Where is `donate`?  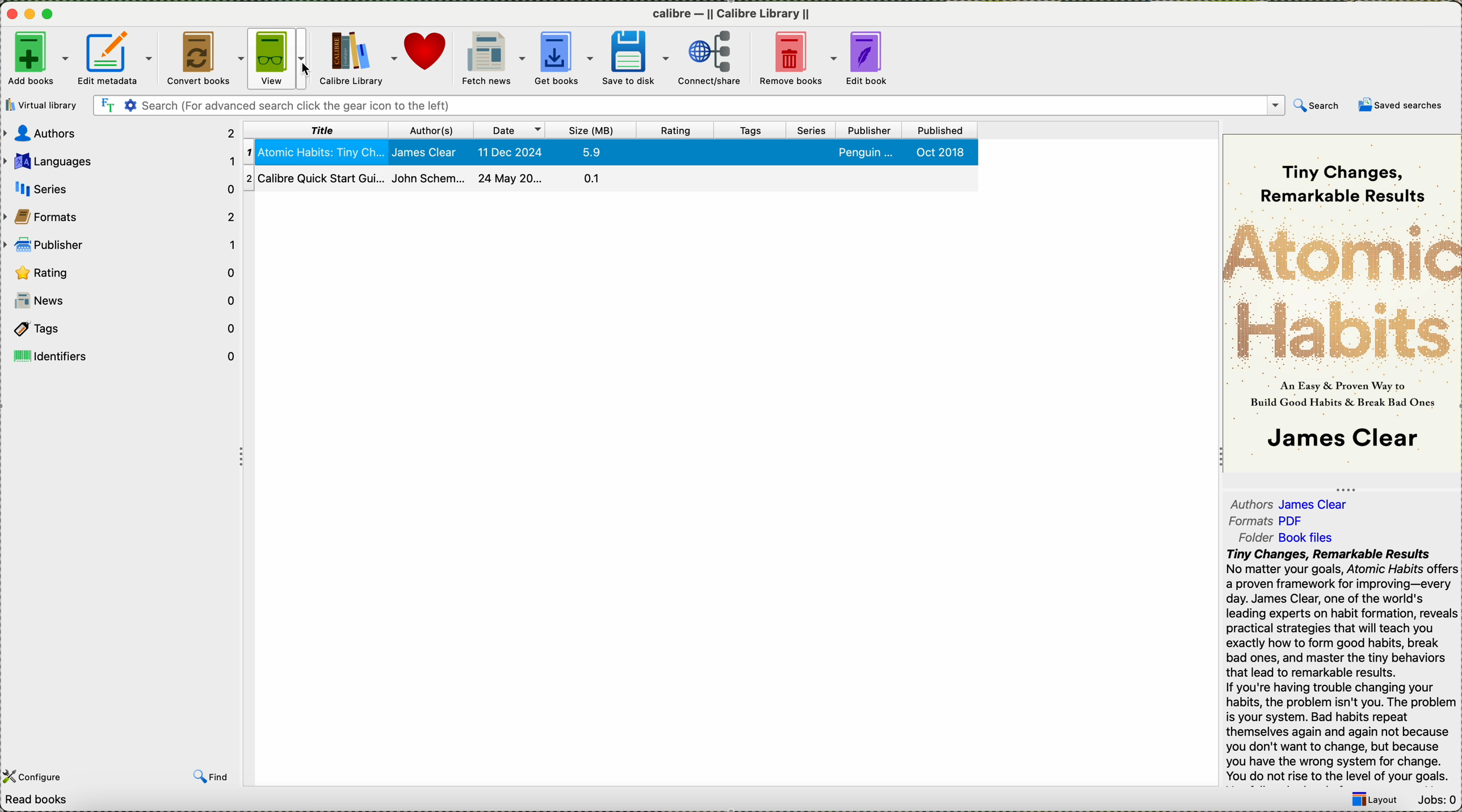
donate is located at coordinates (427, 57).